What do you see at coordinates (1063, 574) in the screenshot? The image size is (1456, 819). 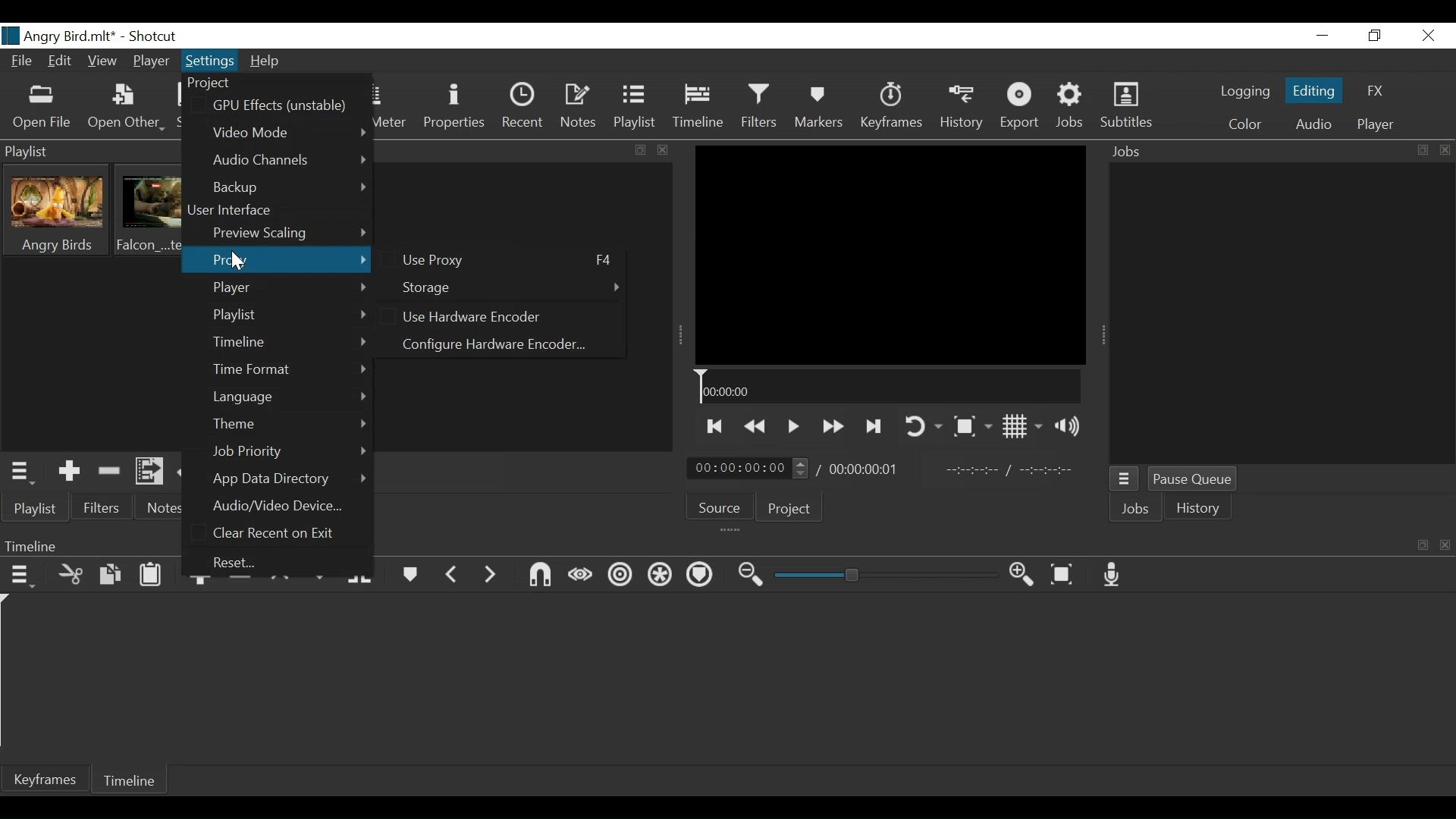 I see `Zoom timeline to fit` at bounding box center [1063, 574].